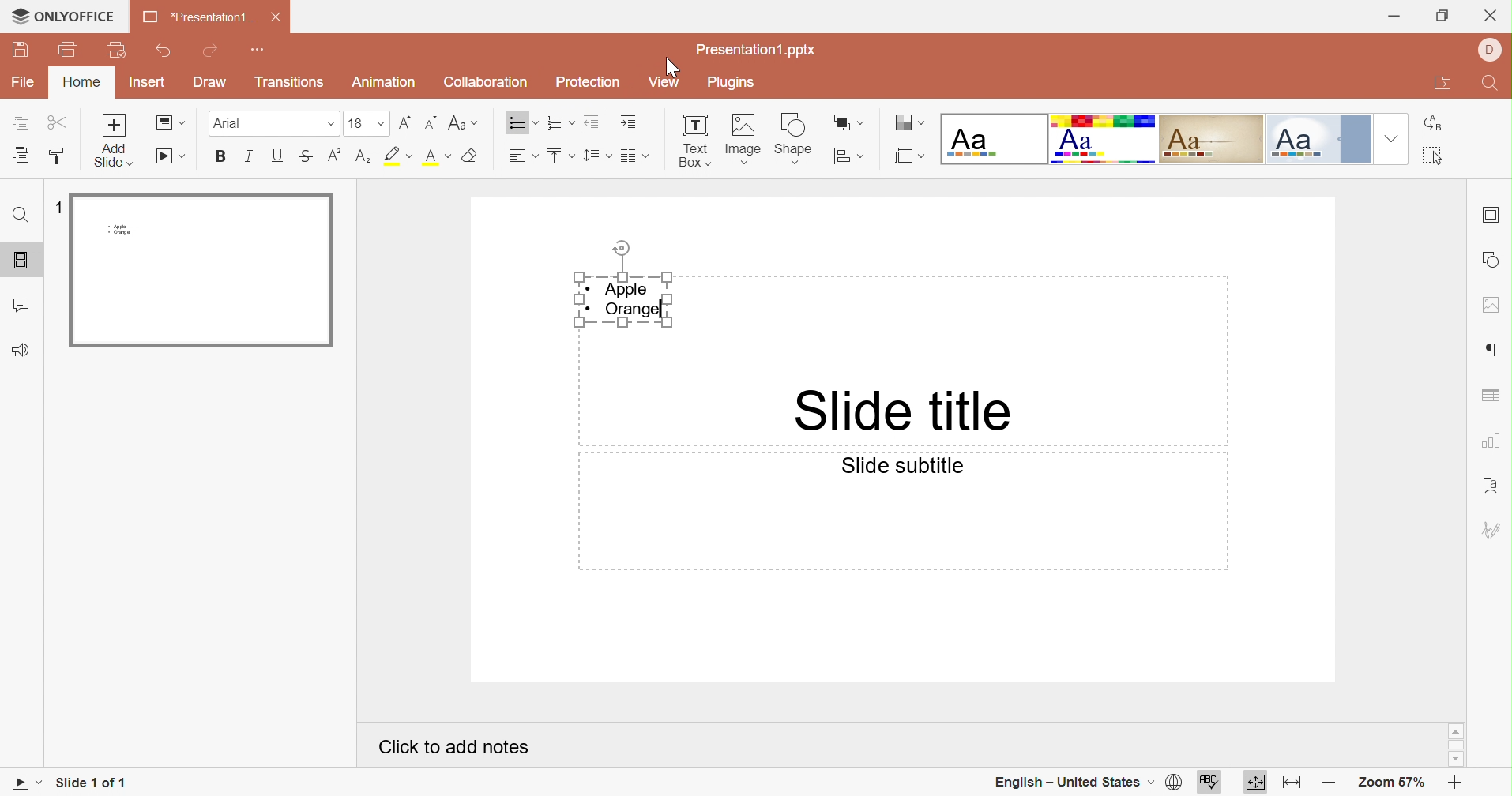  What do you see at coordinates (745, 138) in the screenshot?
I see `Image` at bounding box center [745, 138].